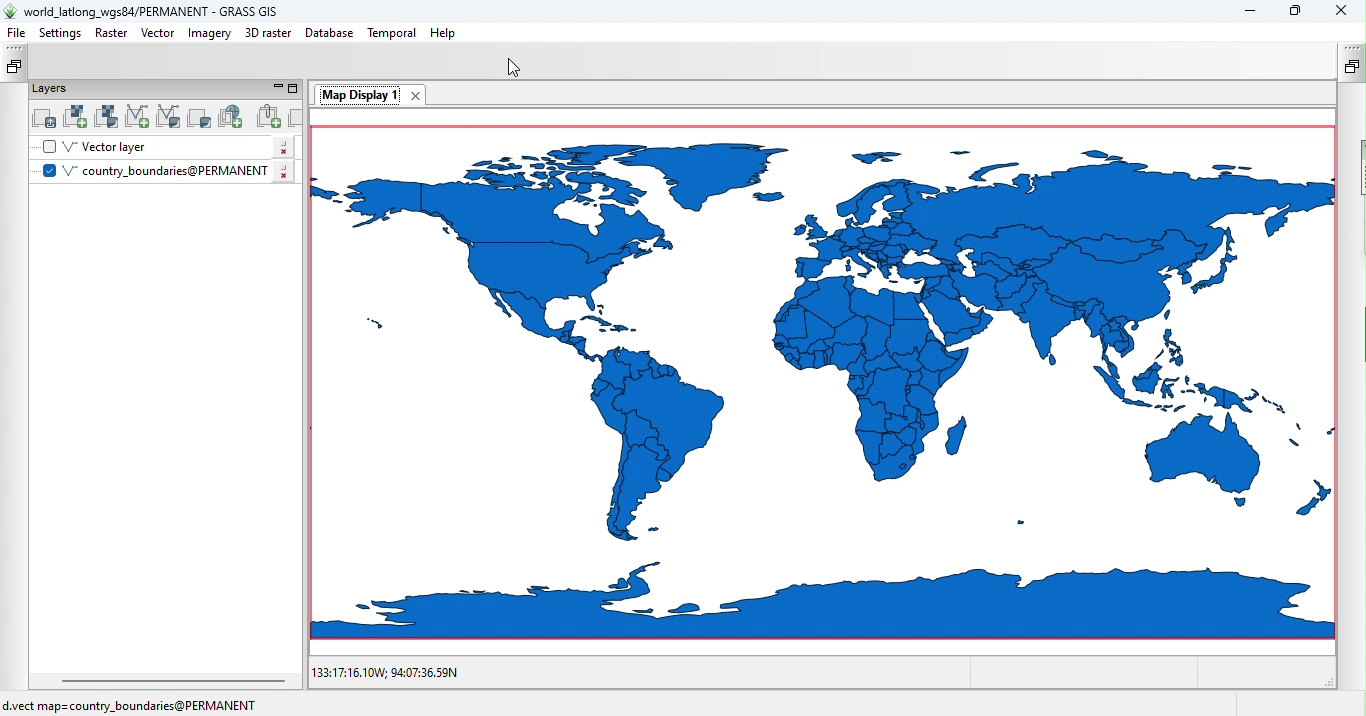  What do you see at coordinates (386, 672) in the screenshot?
I see `133:17:16.10W; 94:07:36.59N` at bounding box center [386, 672].